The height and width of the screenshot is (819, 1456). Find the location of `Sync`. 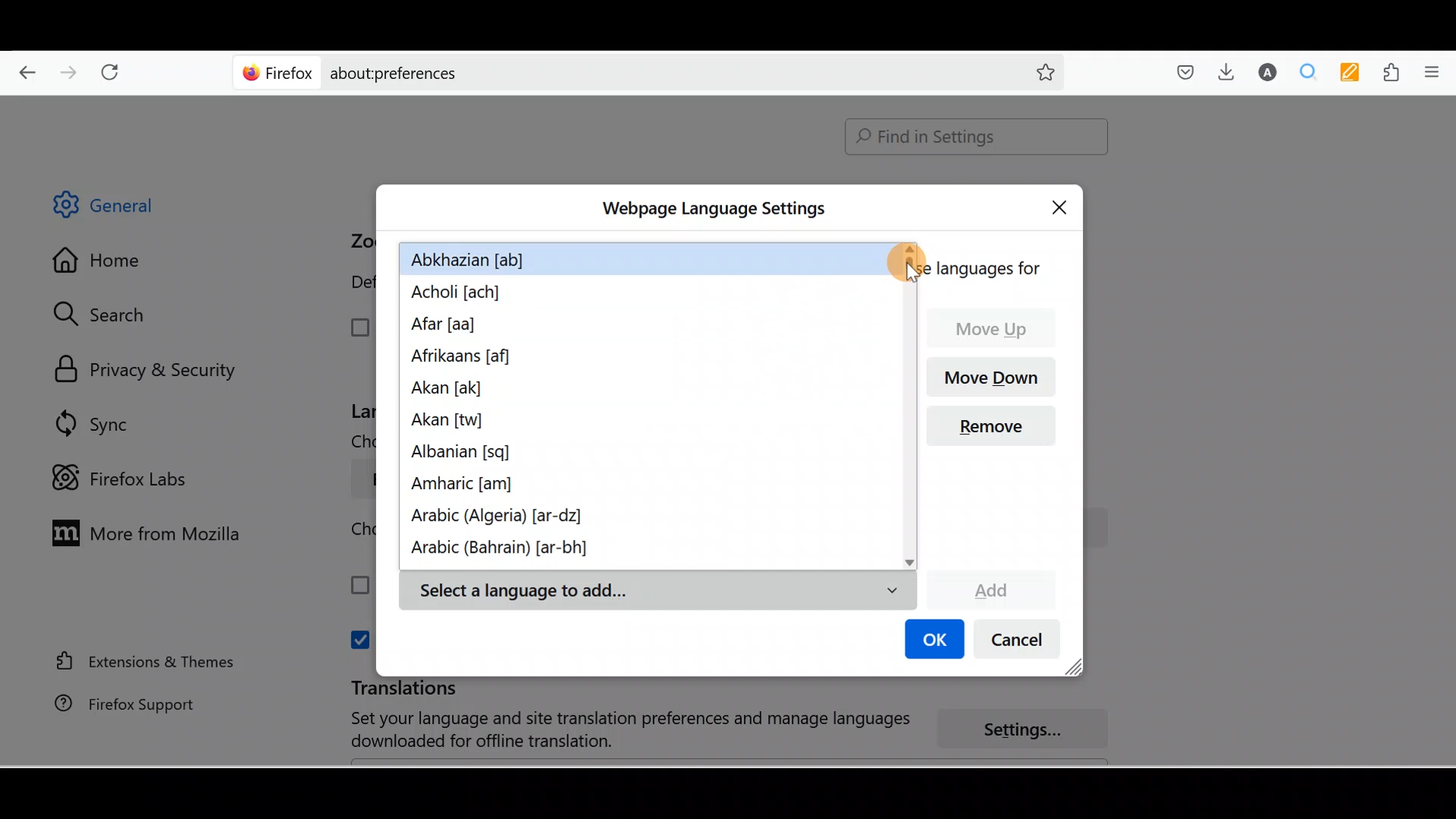

Sync is located at coordinates (95, 423).